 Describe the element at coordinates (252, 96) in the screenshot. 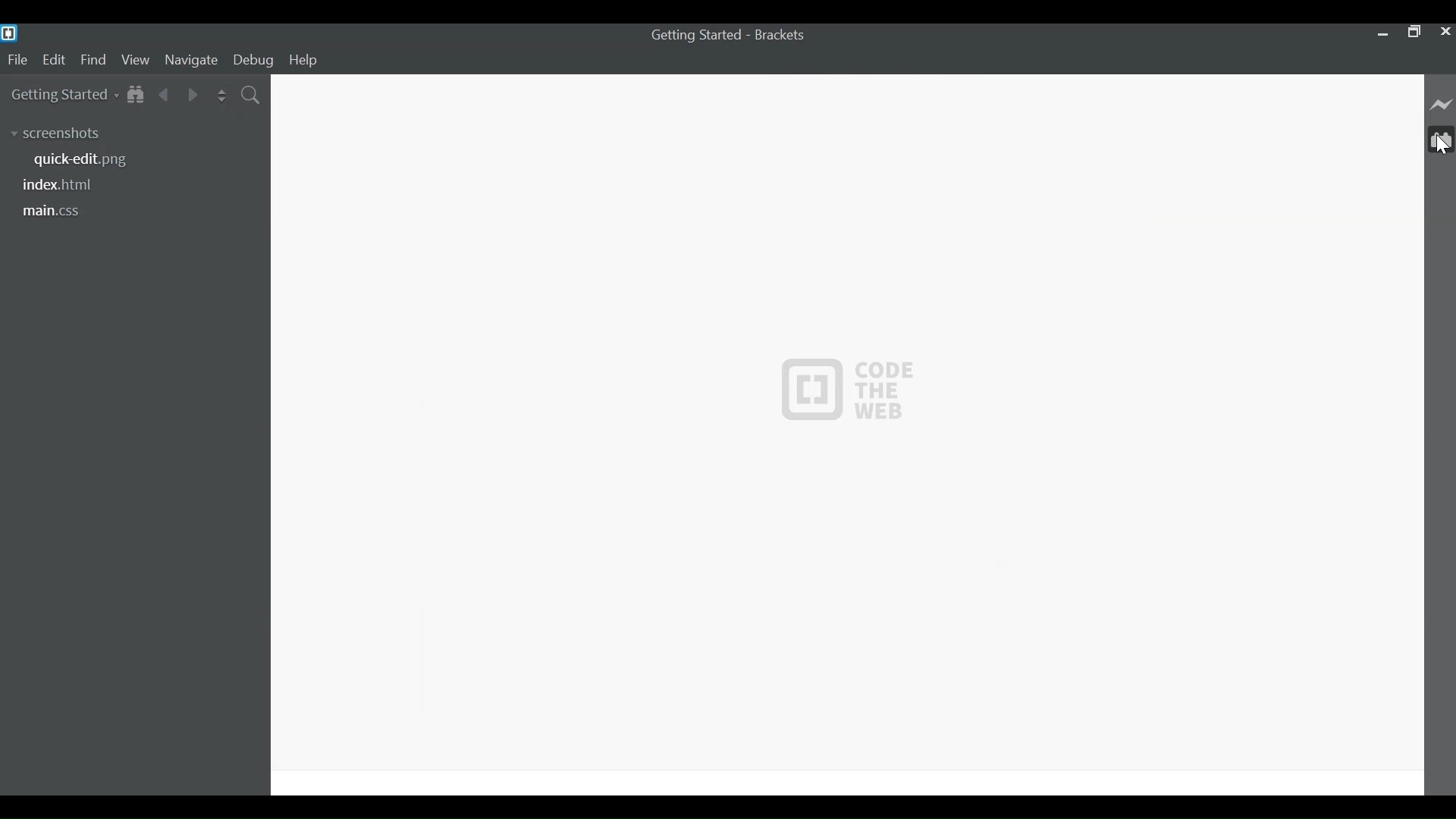

I see `Find in Files` at that location.